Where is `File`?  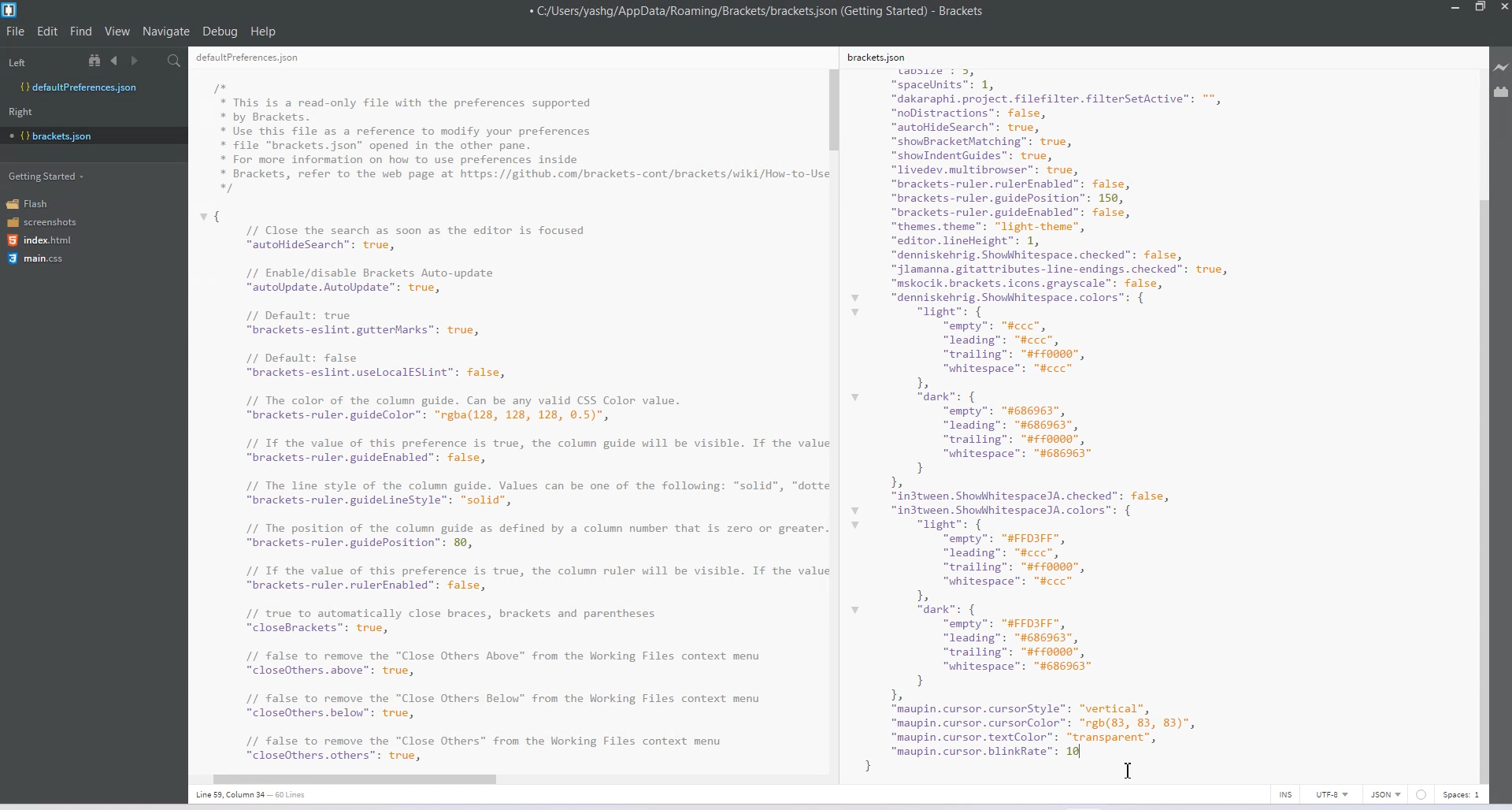 File is located at coordinates (16, 31).